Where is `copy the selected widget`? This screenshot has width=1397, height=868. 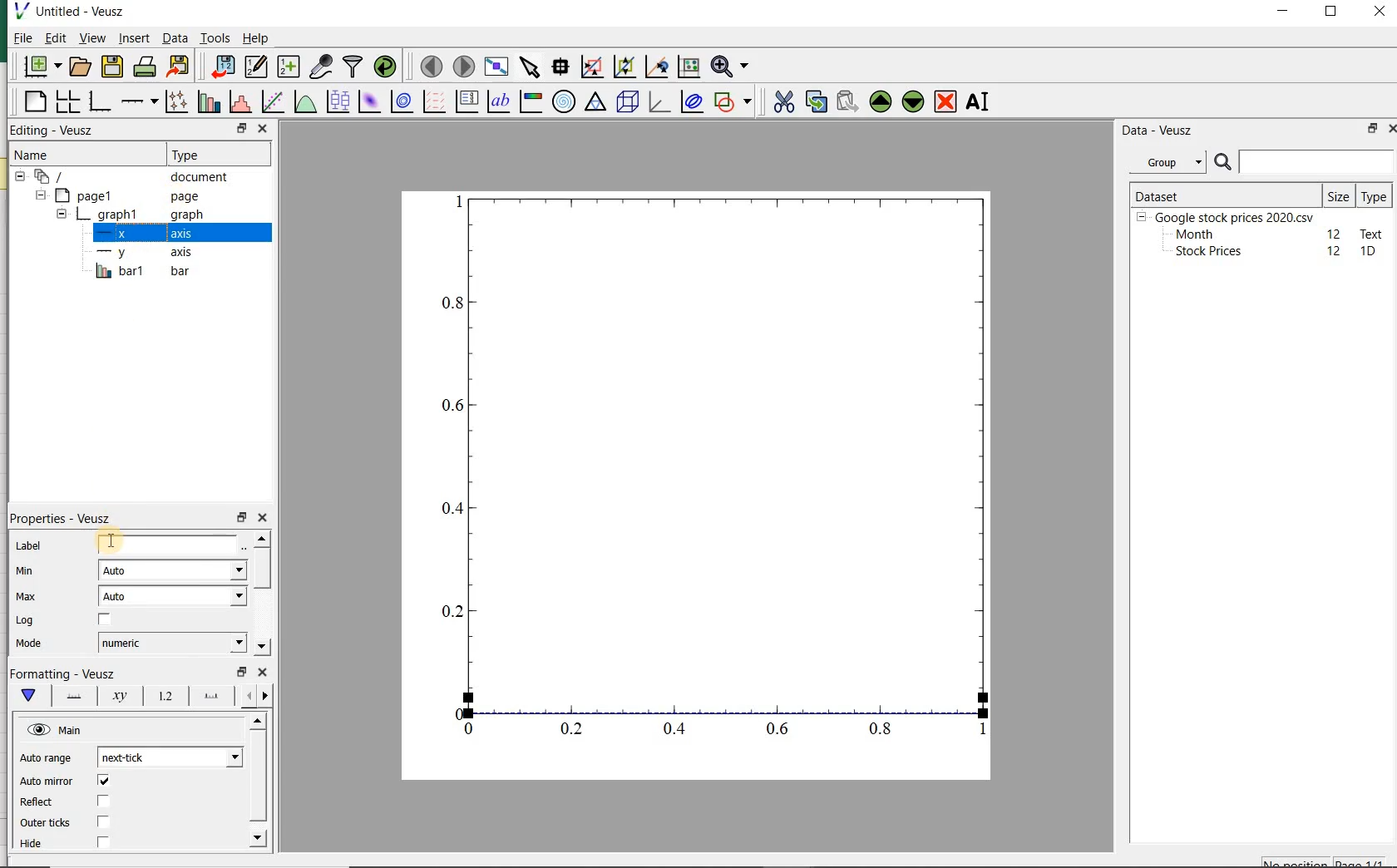 copy the selected widget is located at coordinates (815, 102).